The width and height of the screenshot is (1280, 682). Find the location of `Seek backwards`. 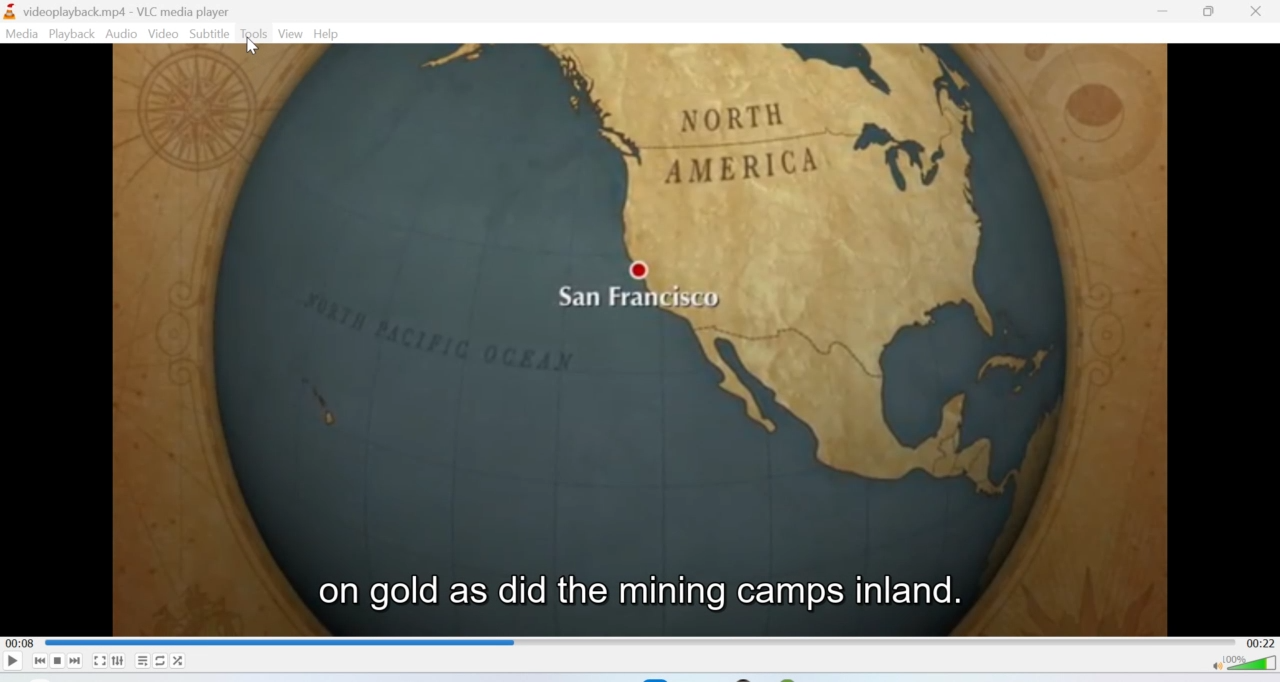

Seek backwards is located at coordinates (40, 660).